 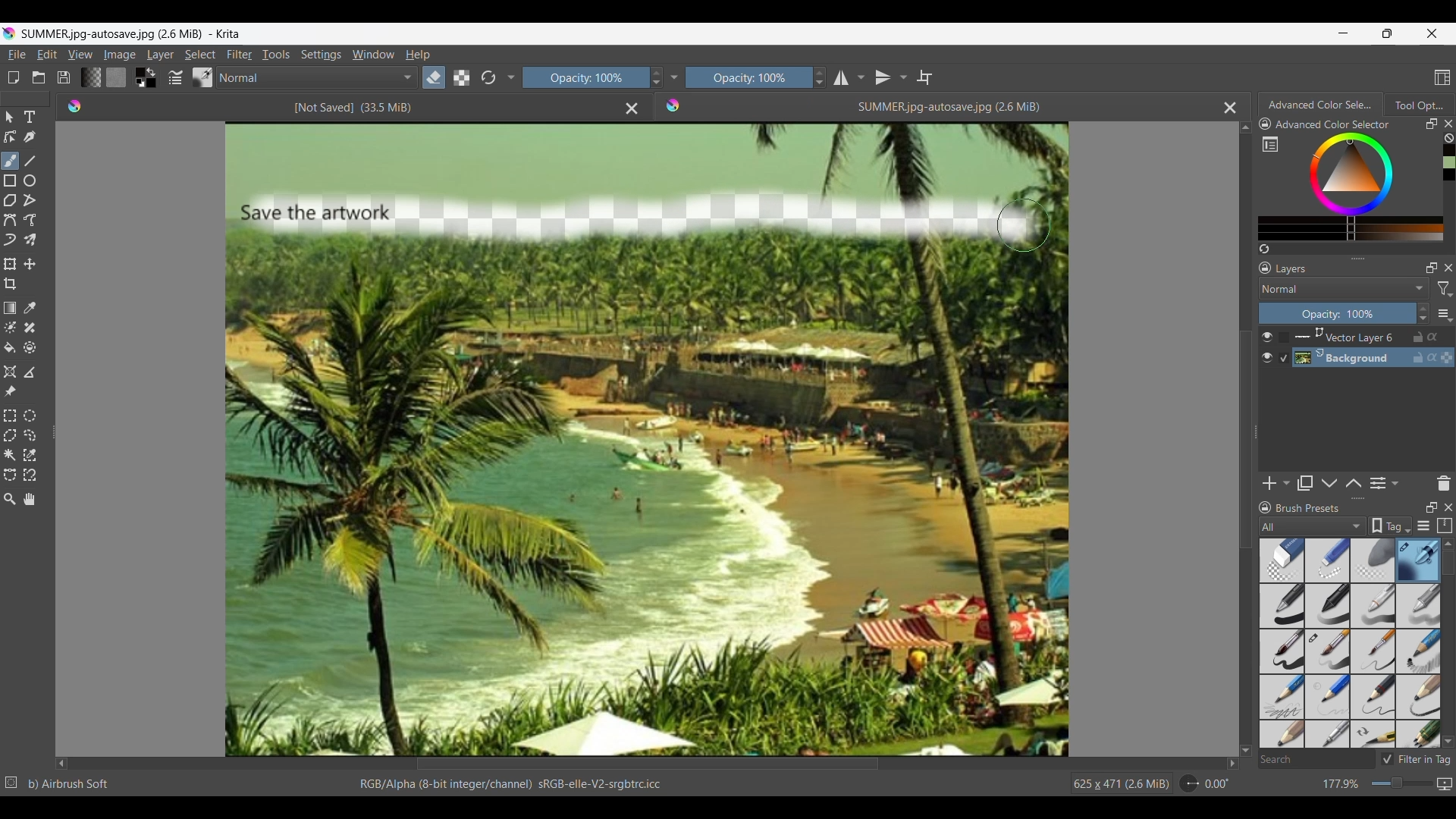 I want to click on Move layer up, so click(x=1354, y=482).